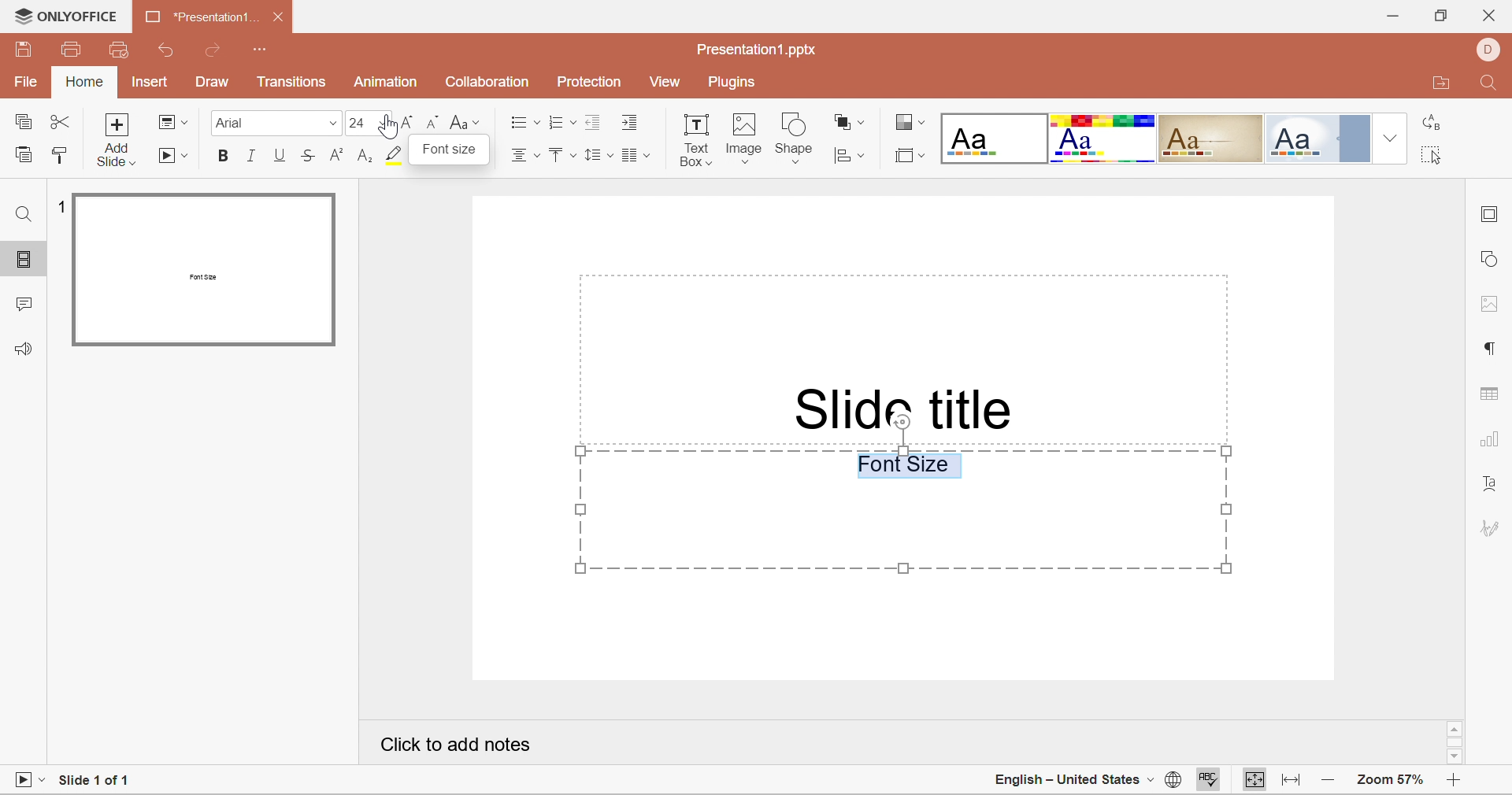 Image resolution: width=1512 pixels, height=795 pixels. What do you see at coordinates (1291, 782) in the screenshot?
I see `Fit to width` at bounding box center [1291, 782].